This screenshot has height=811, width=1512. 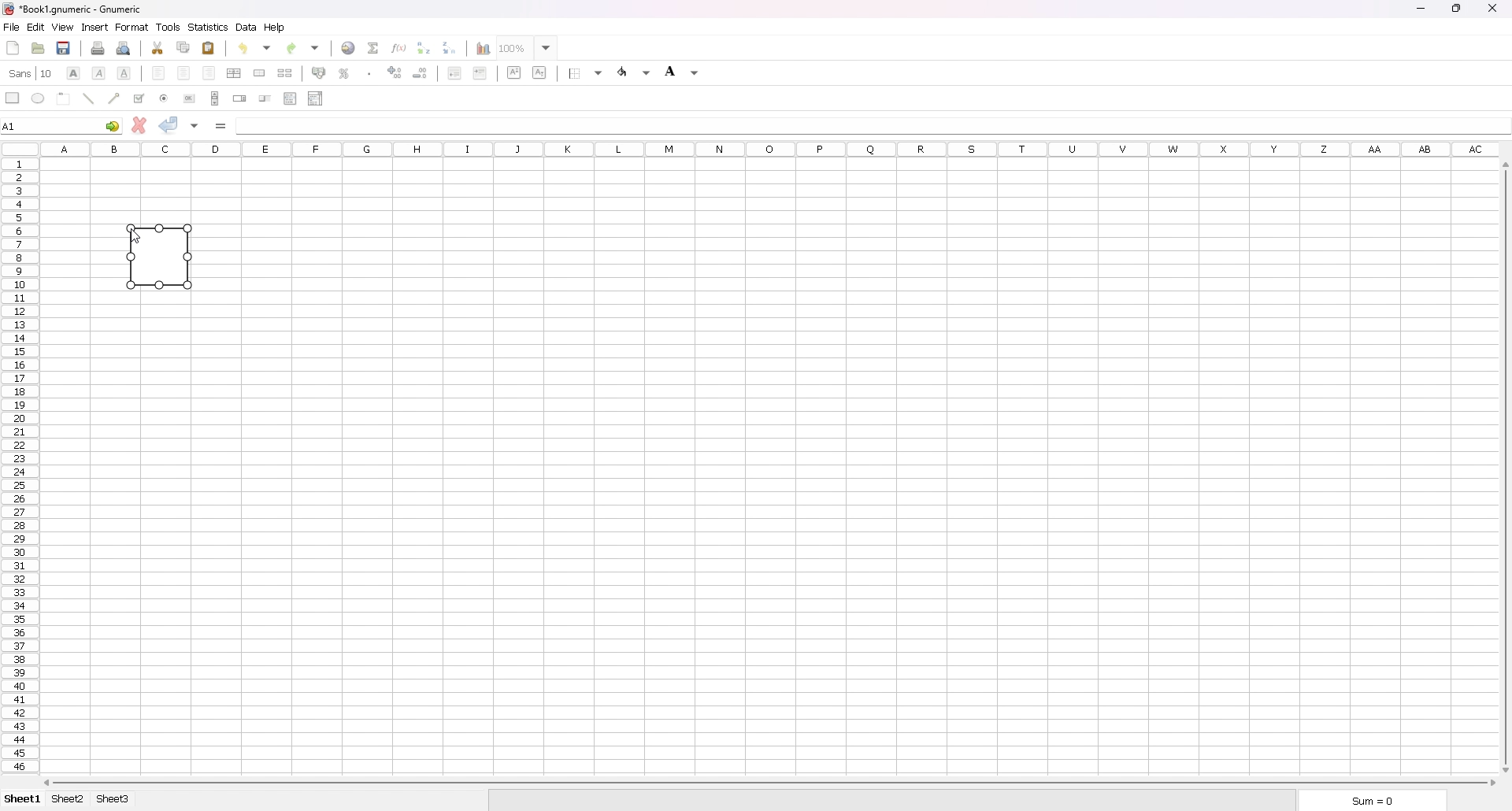 I want to click on sum=0, so click(x=1382, y=802).